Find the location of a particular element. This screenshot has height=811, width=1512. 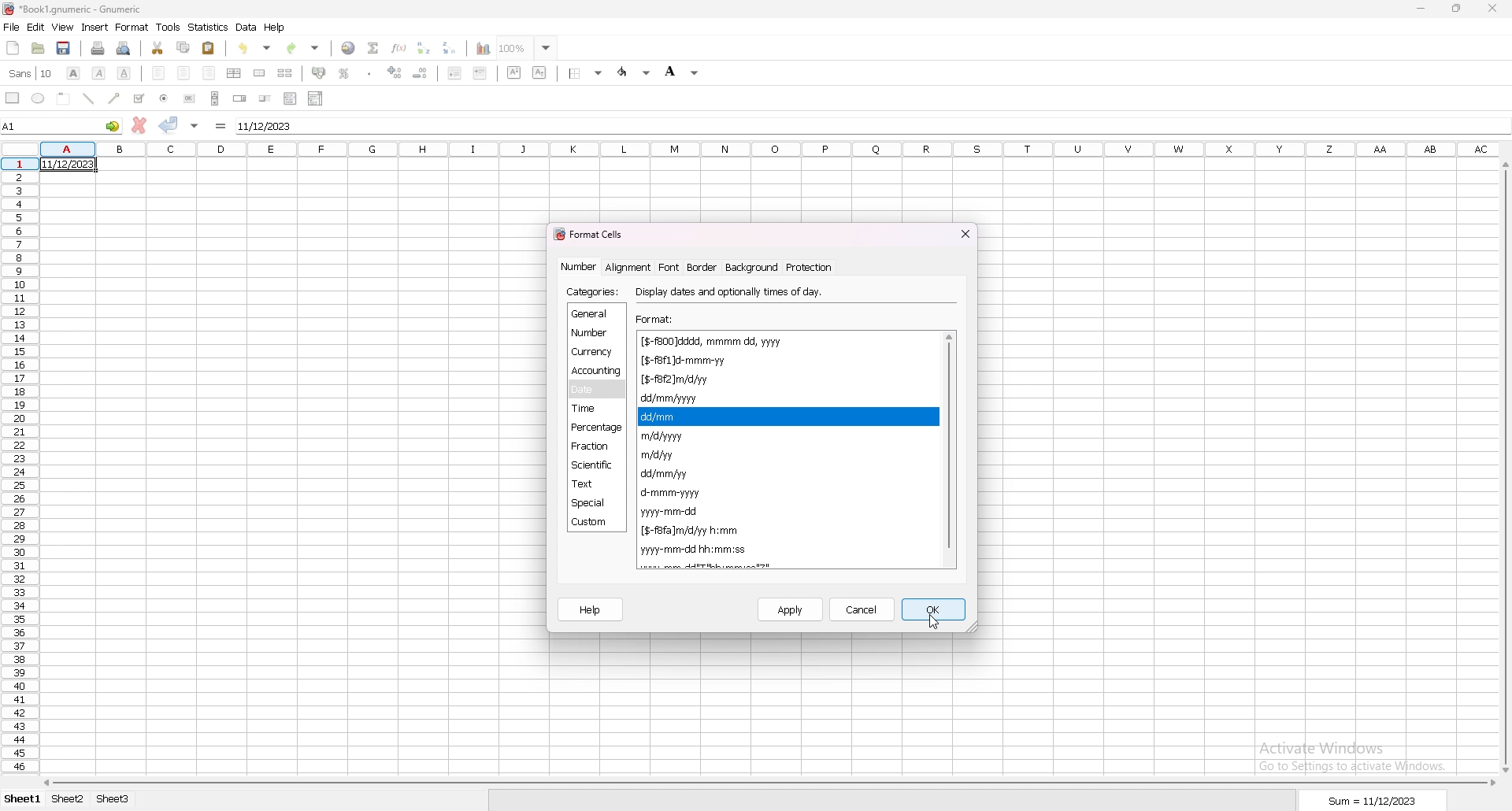

formula is located at coordinates (220, 126).